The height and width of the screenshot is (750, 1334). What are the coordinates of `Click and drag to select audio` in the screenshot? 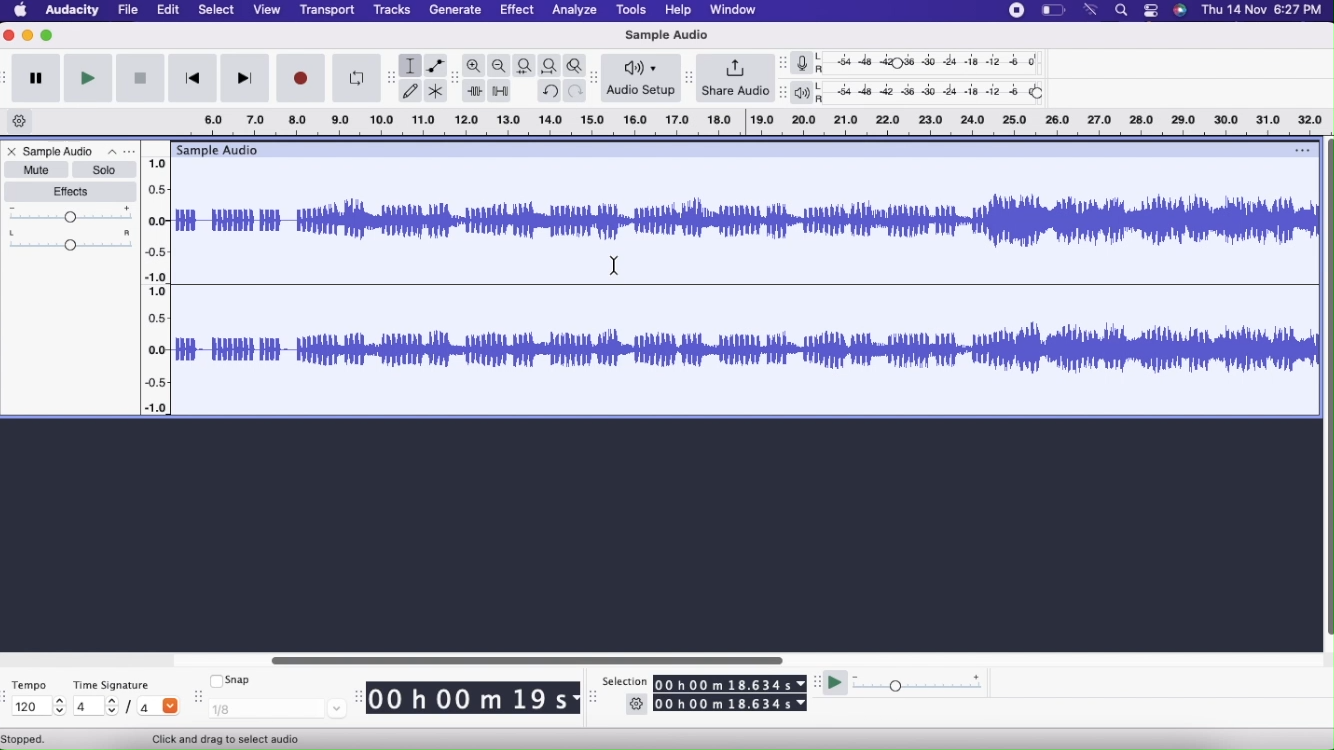 It's located at (239, 739).